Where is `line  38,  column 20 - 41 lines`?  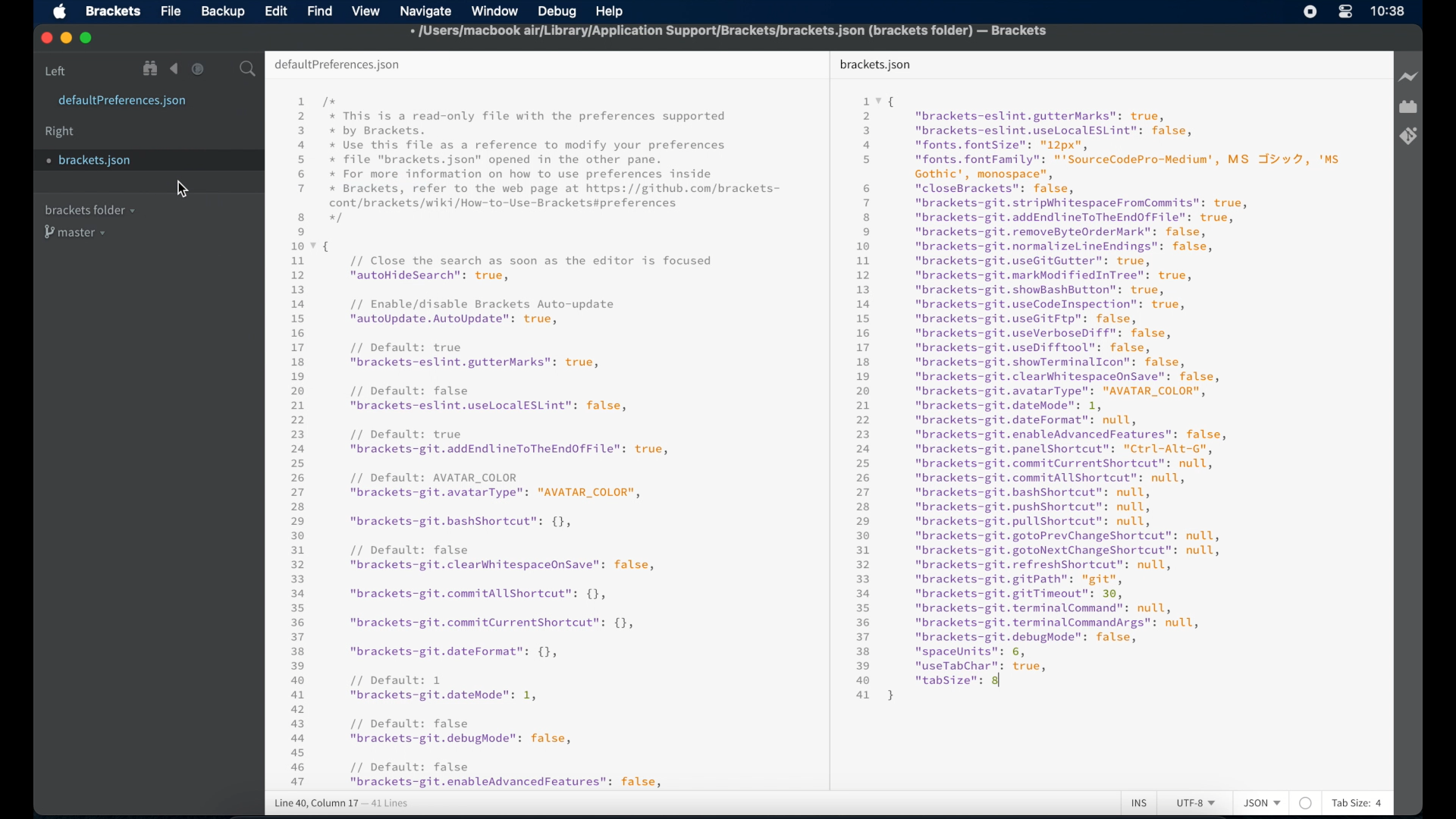 line  38,  column 20 - 41 lines is located at coordinates (342, 804).